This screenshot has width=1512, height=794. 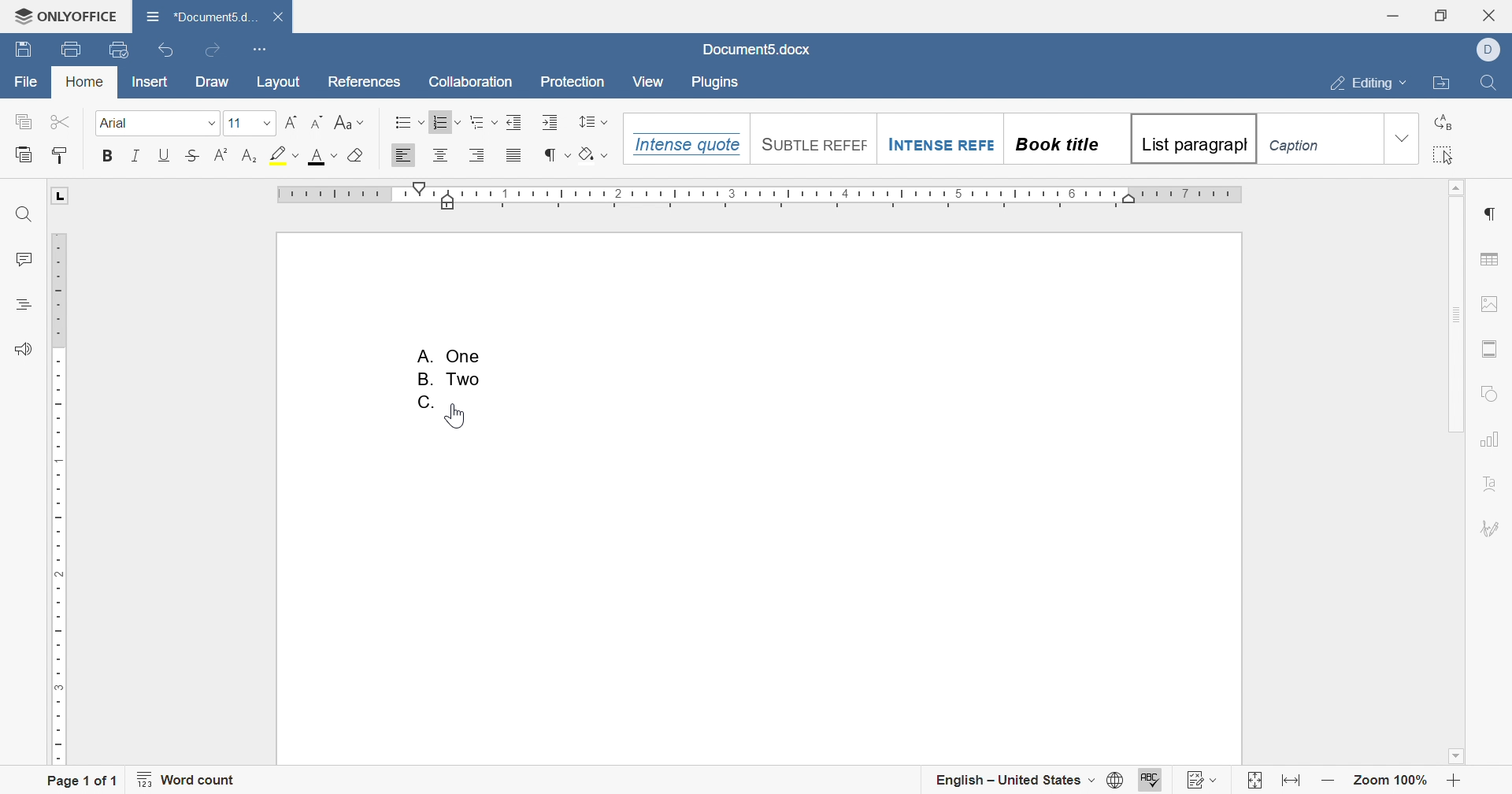 I want to click on headings, so click(x=22, y=305).